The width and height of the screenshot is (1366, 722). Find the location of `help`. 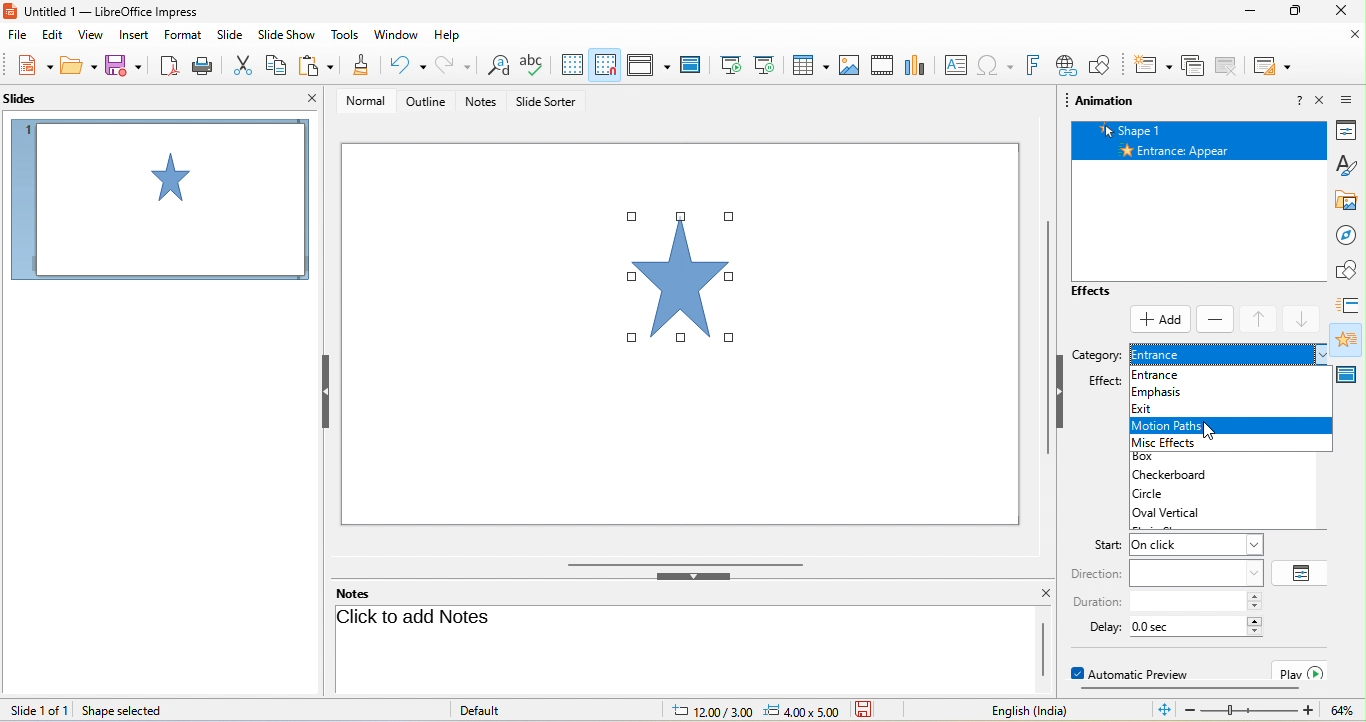

help is located at coordinates (1299, 99).